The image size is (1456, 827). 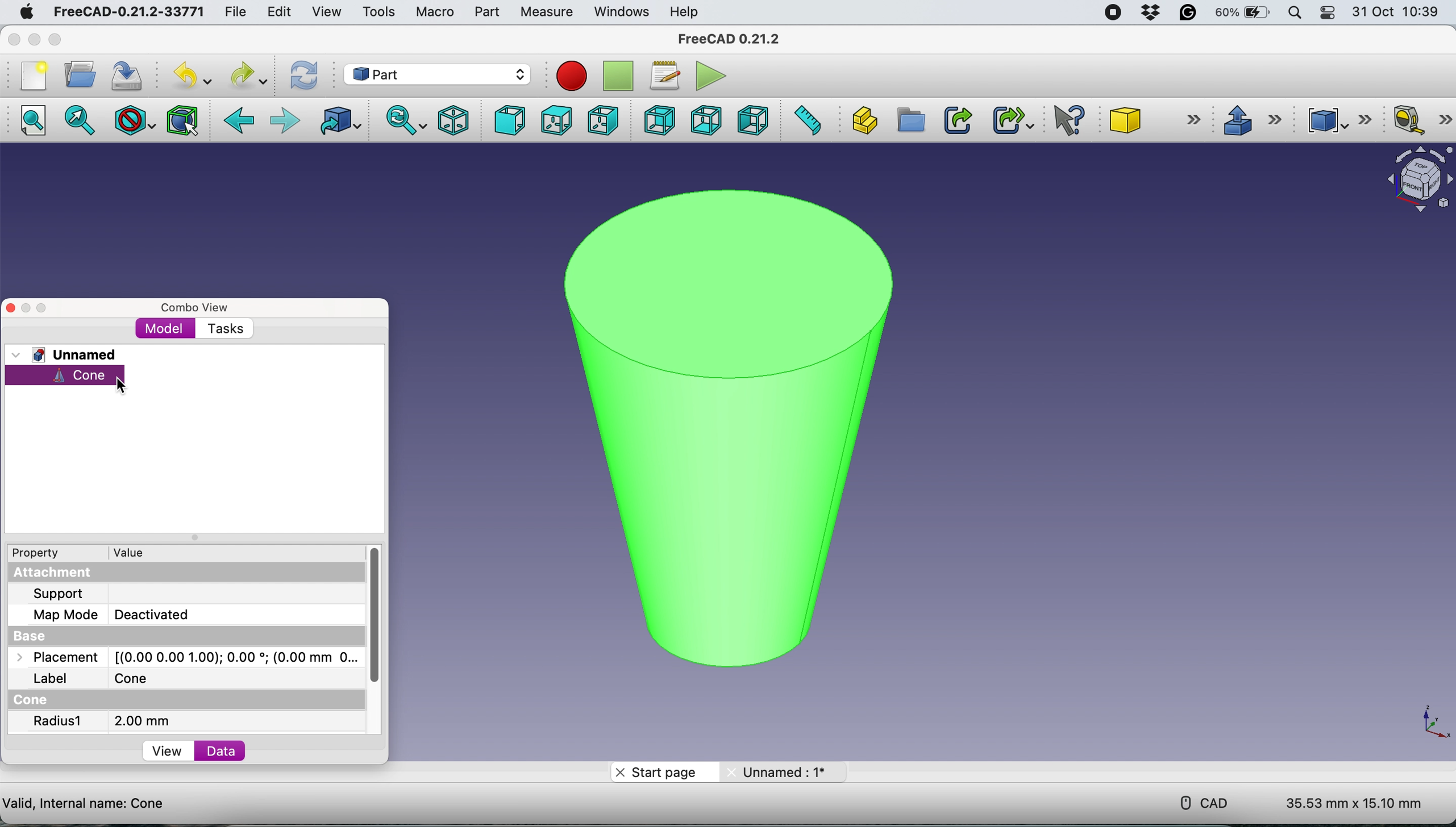 I want to click on right, so click(x=602, y=119).